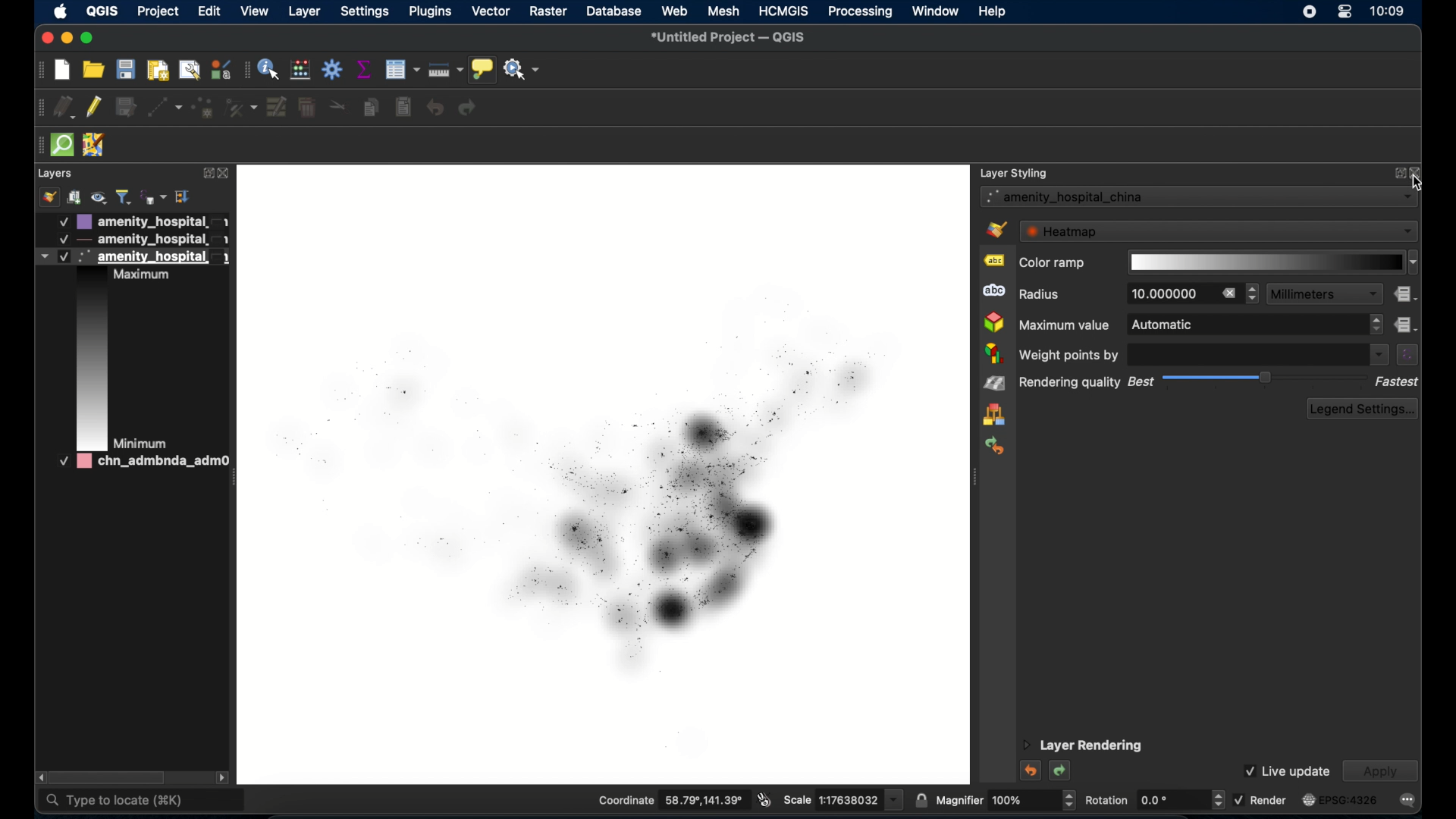  What do you see at coordinates (204, 173) in the screenshot?
I see `expand` at bounding box center [204, 173].